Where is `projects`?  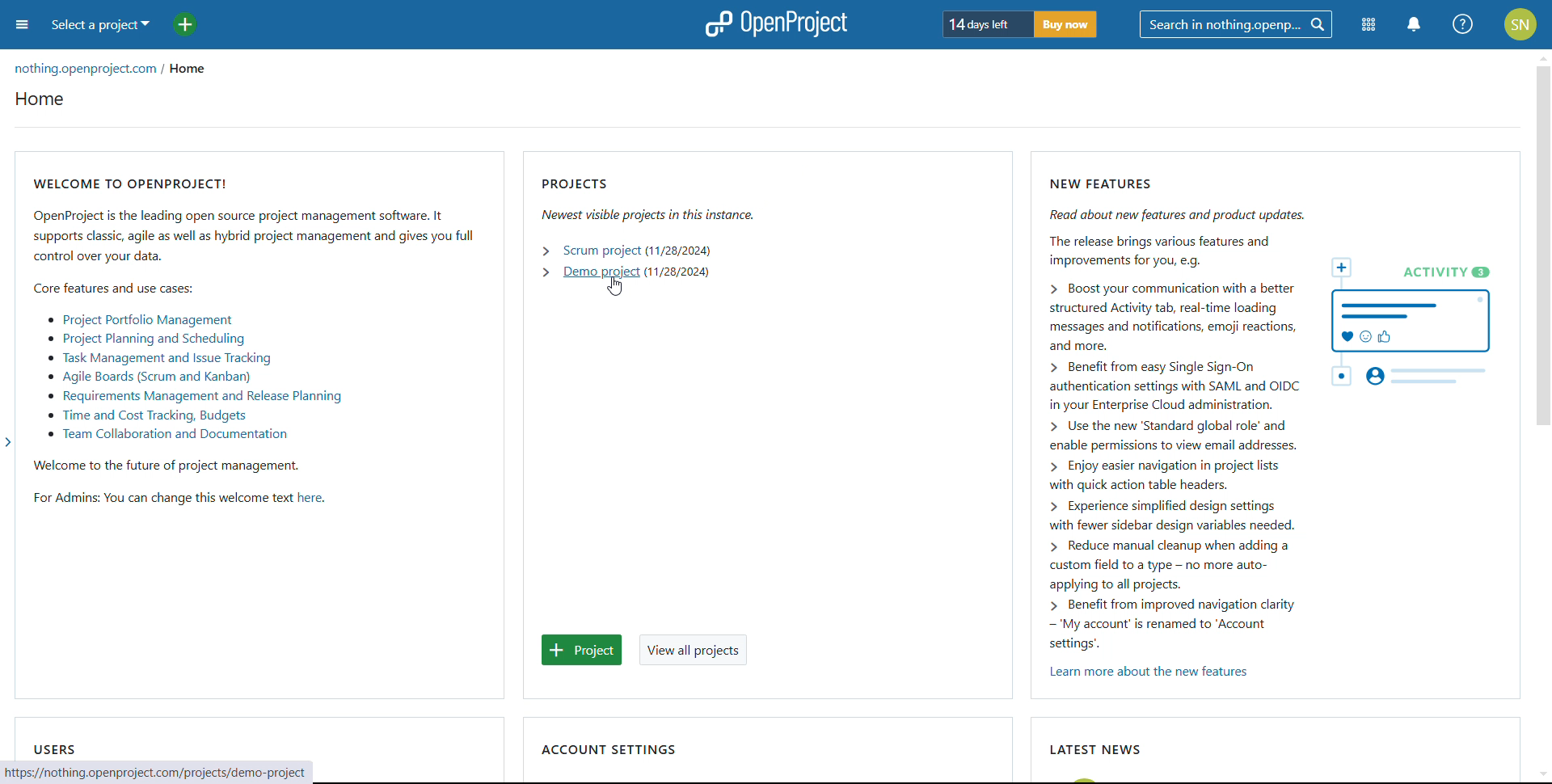 projects is located at coordinates (648, 199).